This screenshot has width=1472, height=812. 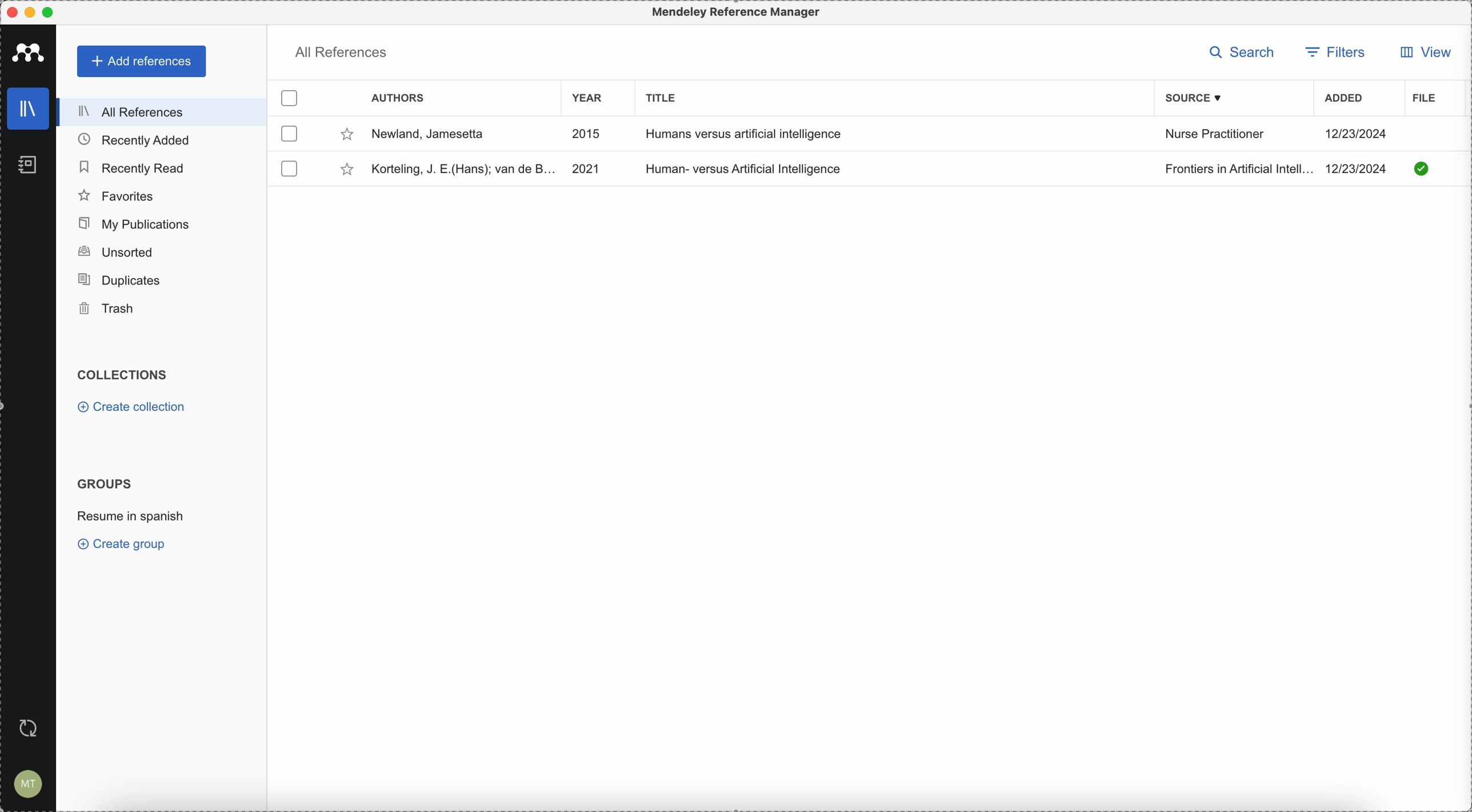 What do you see at coordinates (1338, 51) in the screenshot?
I see `filters` at bounding box center [1338, 51].